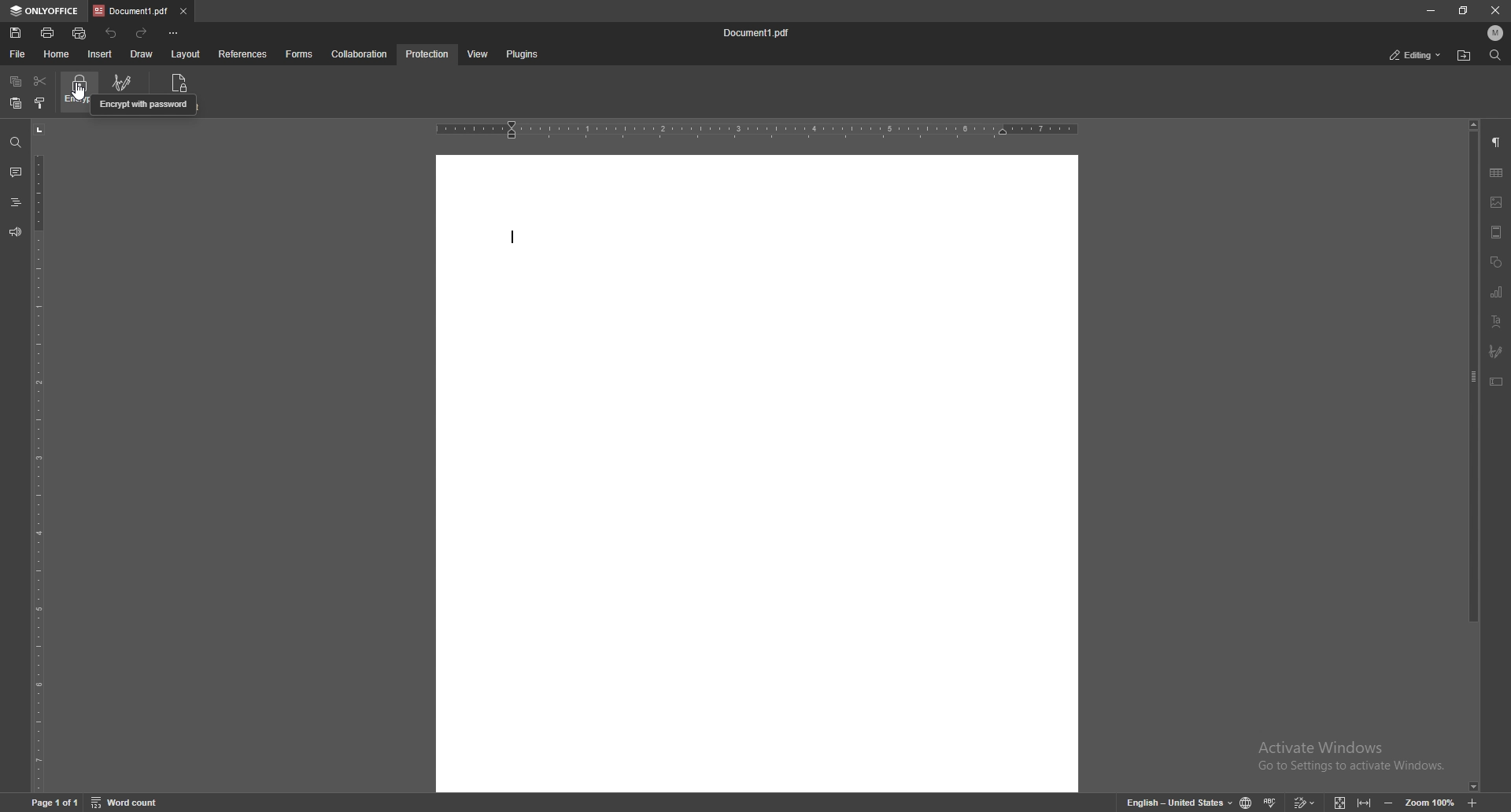 This screenshot has width=1511, height=812. Describe the element at coordinates (16, 104) in the screenshot. I see `paste` at that location.